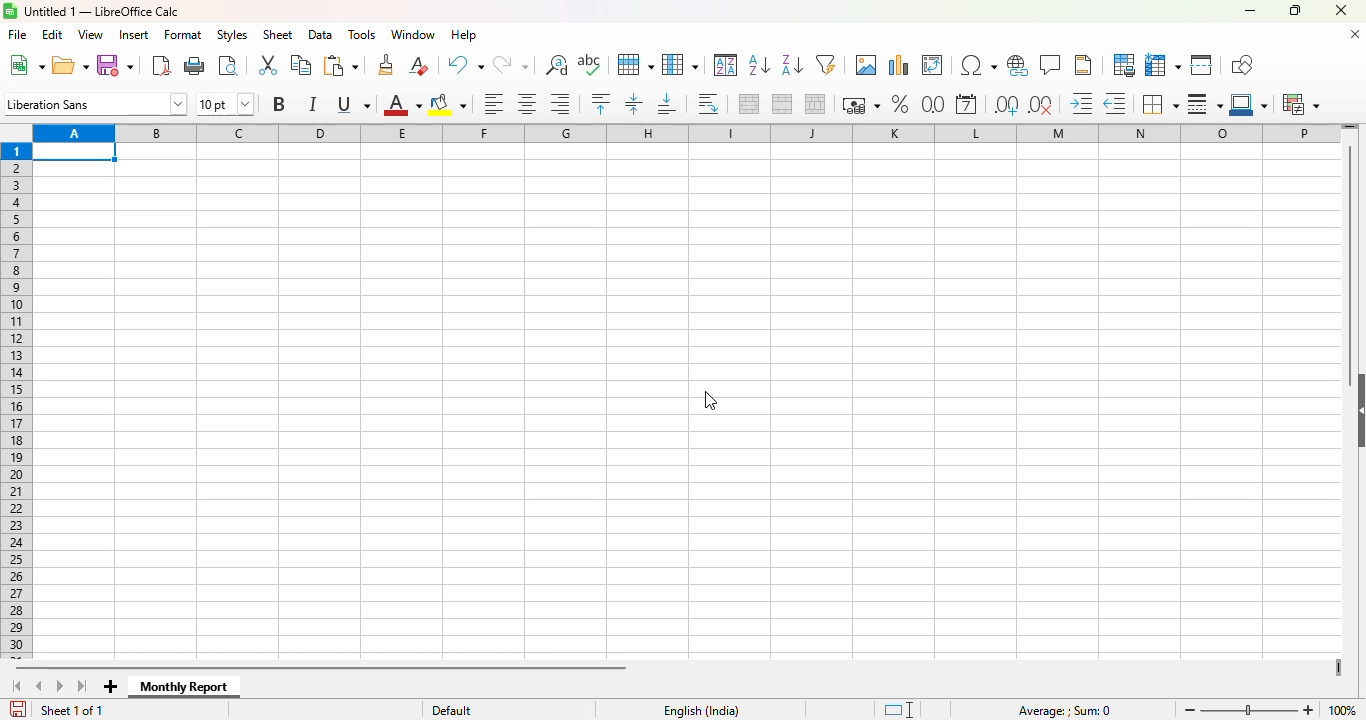  I want to click on bold, so click(279, 103).